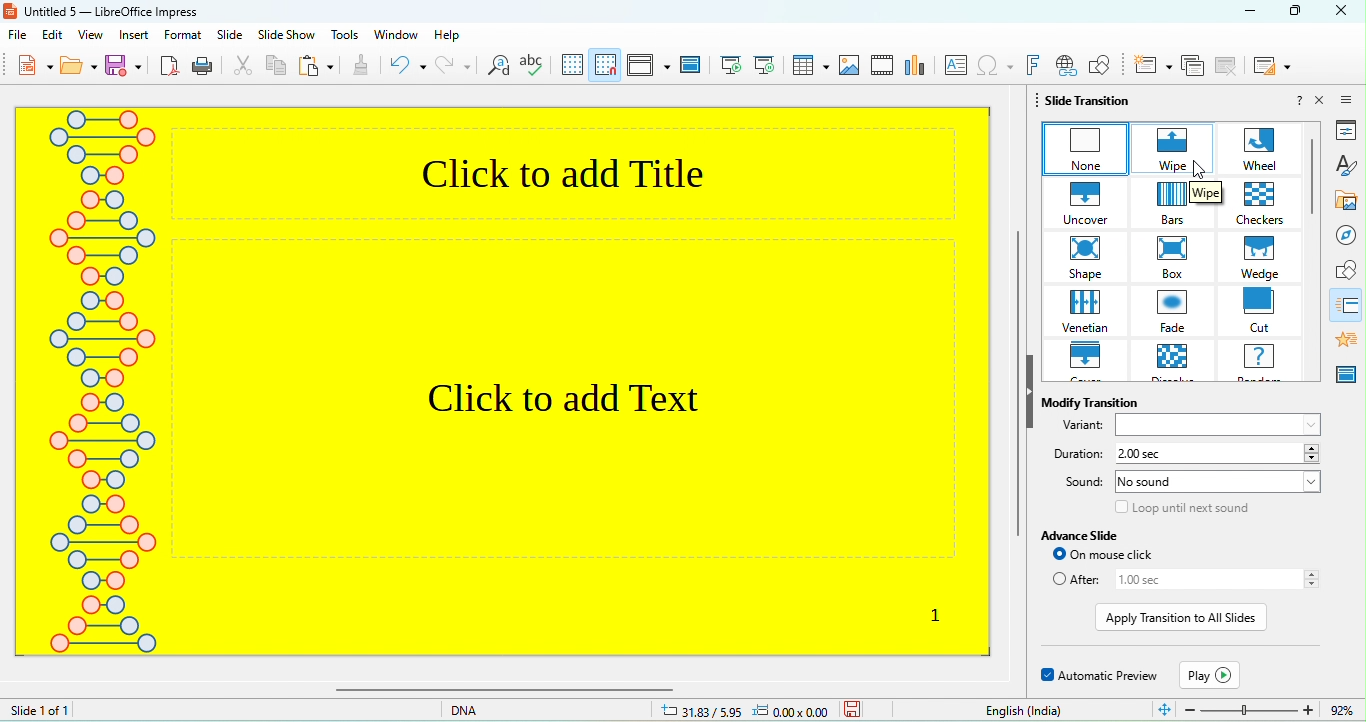 This screenshot has width=1366, height=722. What do you see at coordinates (1263, 310) in the screenshot?
I see `cut` at bounding box center [1263, 310].